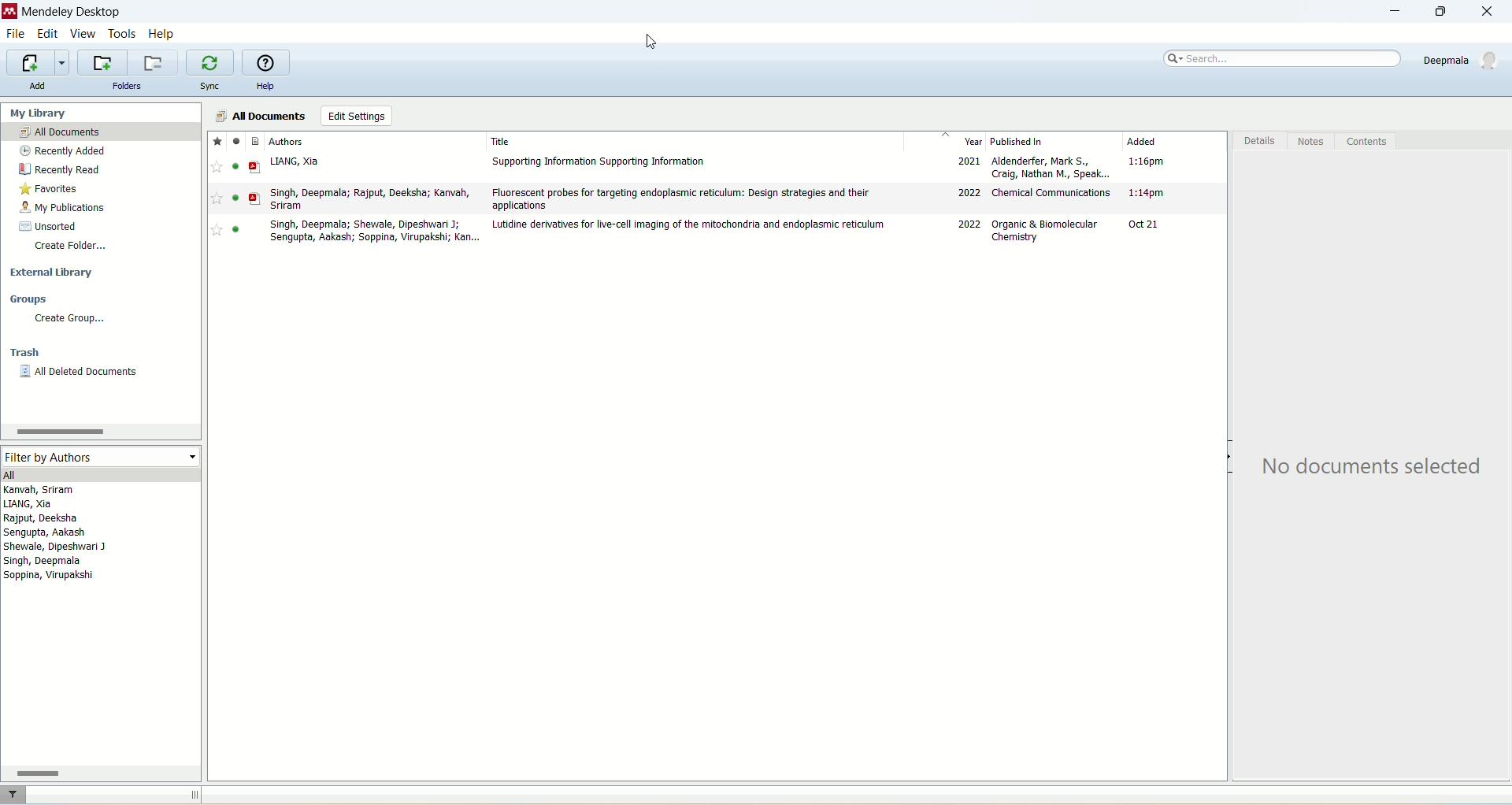 The width and height of the screenshot is (1512, 805). What do you see at coordinates (649, 42) in the screenshot?
I see `cursor` at bounding box center [649, 42].